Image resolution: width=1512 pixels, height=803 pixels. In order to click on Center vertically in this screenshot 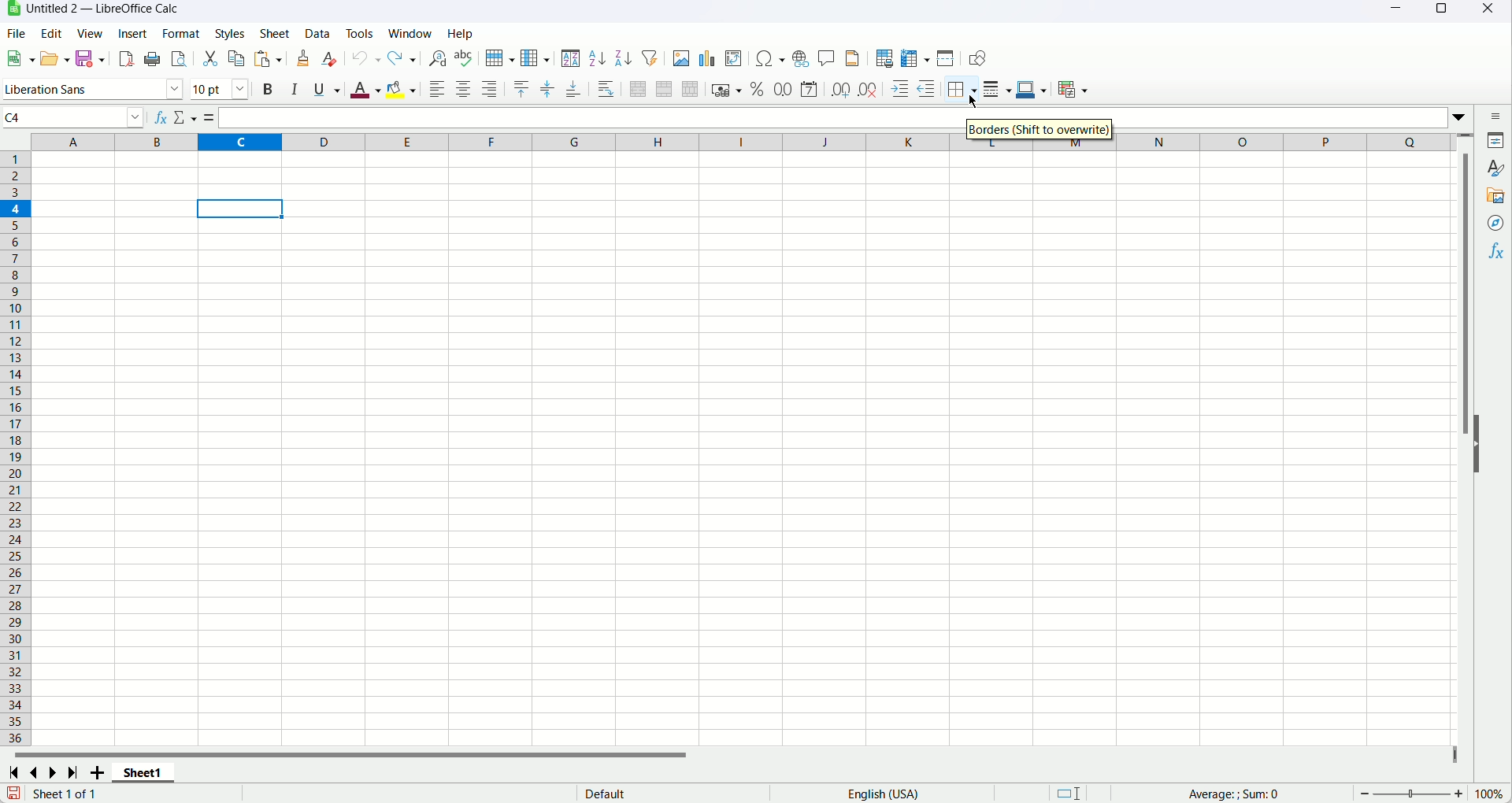, I will do `click(548, 89)`.